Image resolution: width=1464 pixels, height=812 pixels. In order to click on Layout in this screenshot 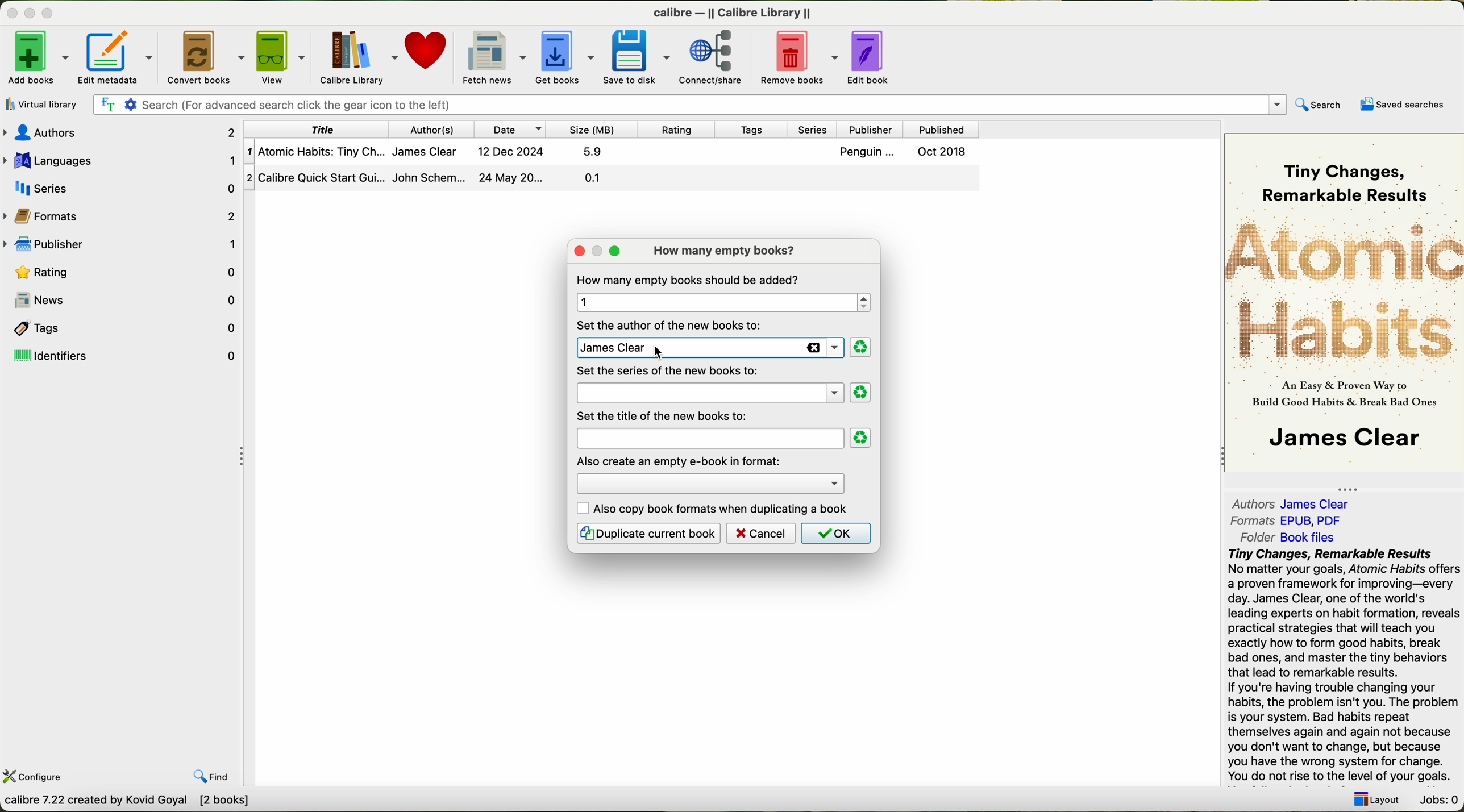, I will do `click(1376, 800)`.